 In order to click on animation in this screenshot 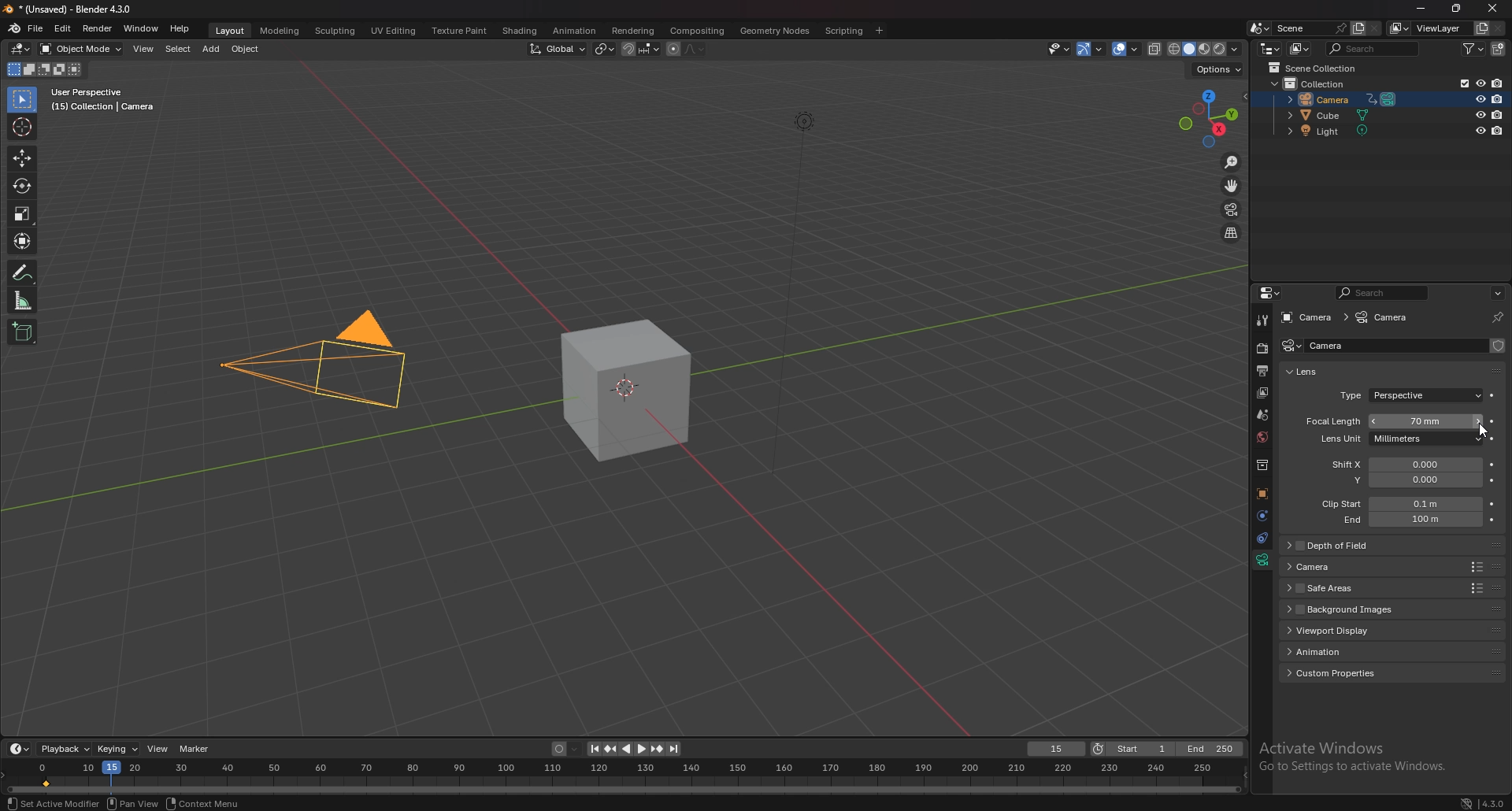, I will do `click(1347, 650)`.